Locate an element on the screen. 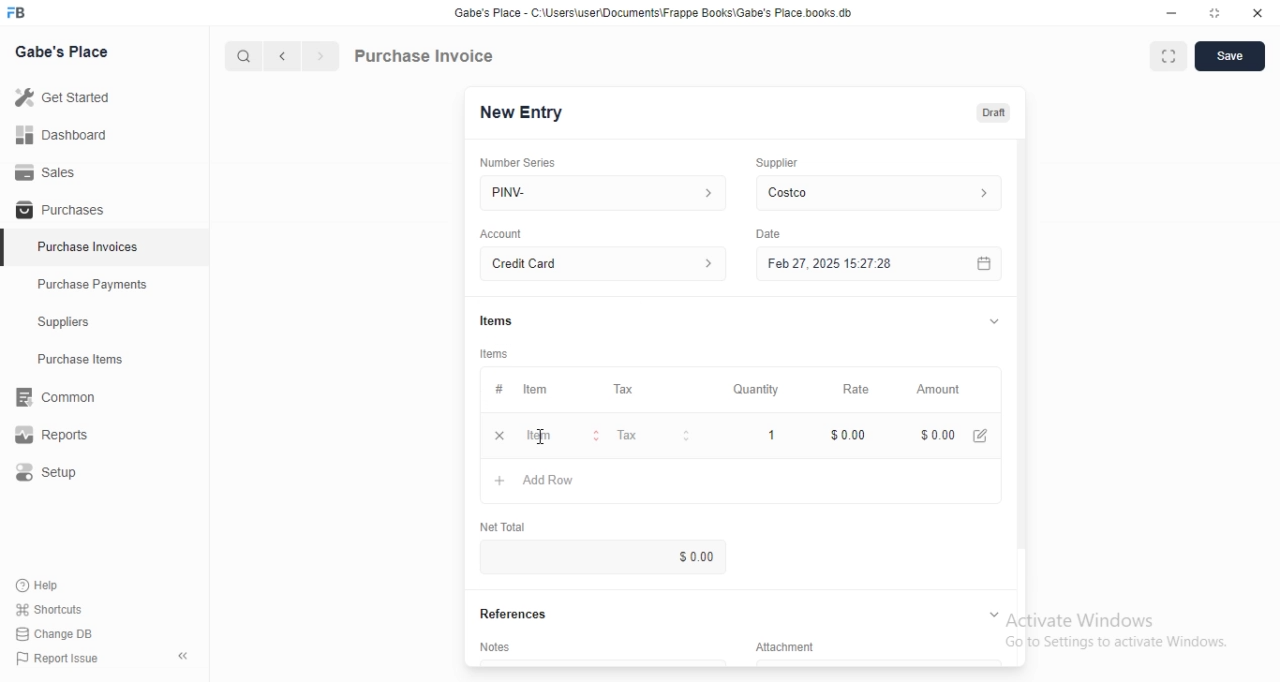 The width and height of the screenshot is (1280, 682). Vertical slide bar is located at coordinates (1022, 365).